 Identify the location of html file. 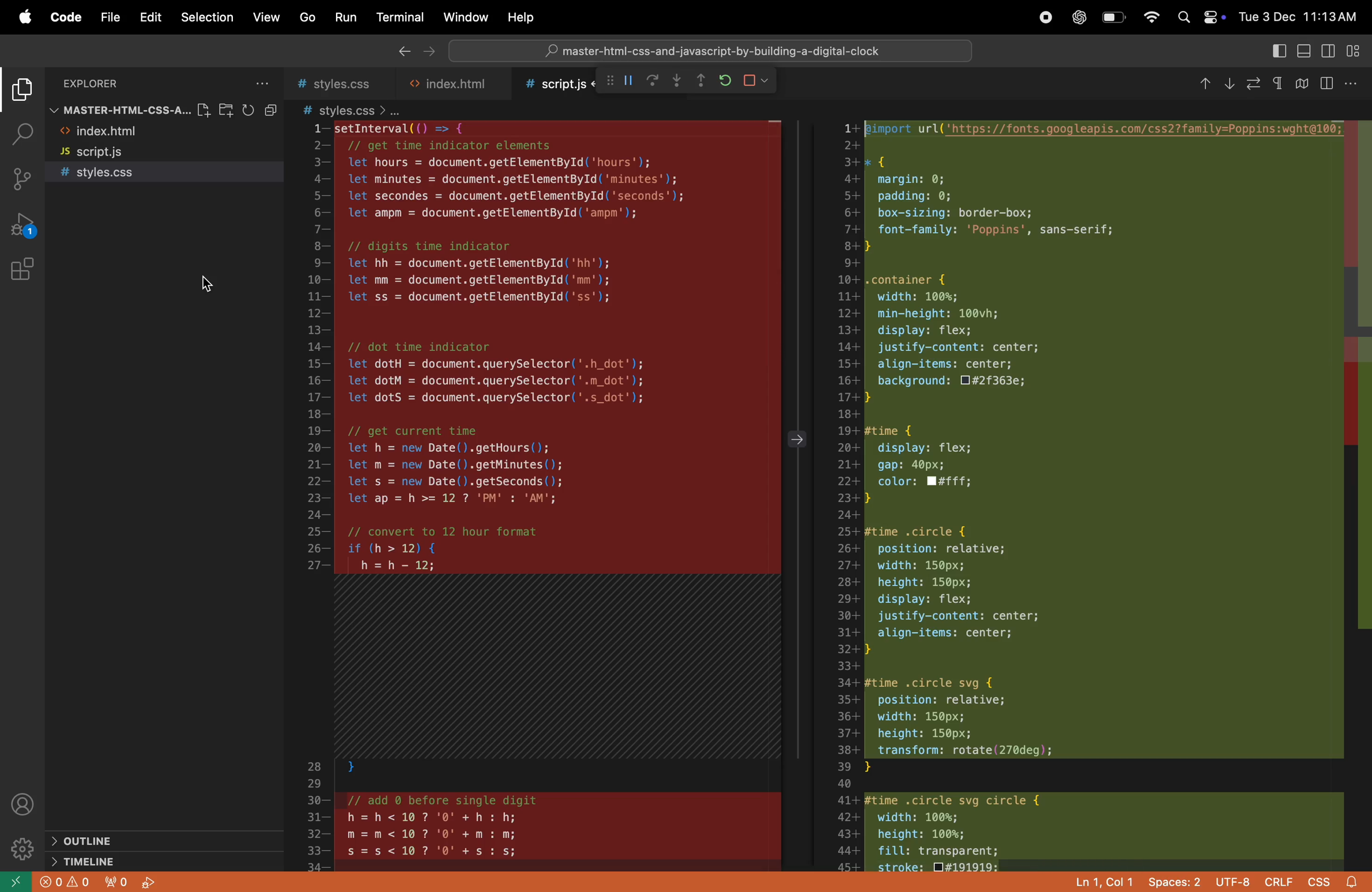
(448, 85).